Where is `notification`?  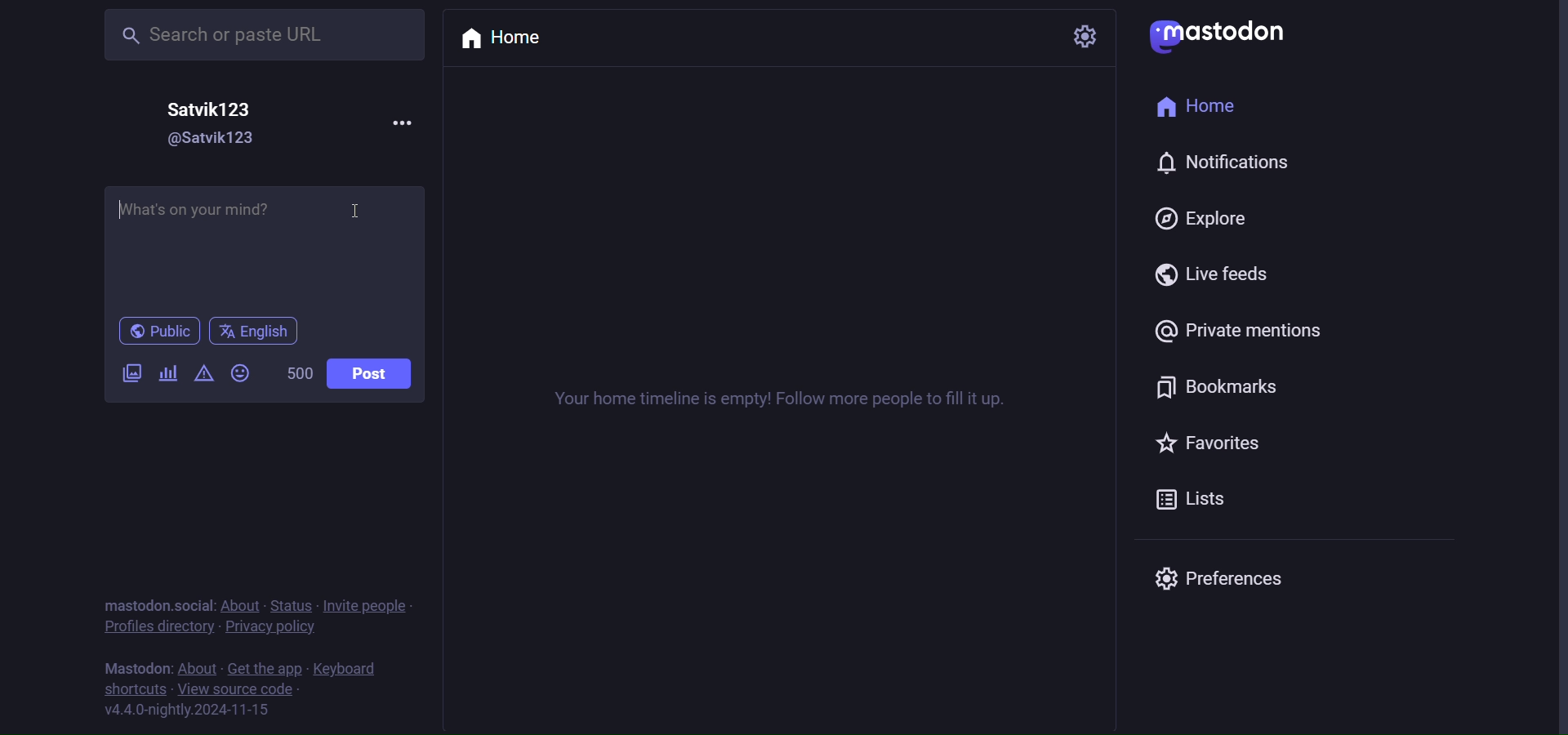
notification is located at coordinates (1222, 167).